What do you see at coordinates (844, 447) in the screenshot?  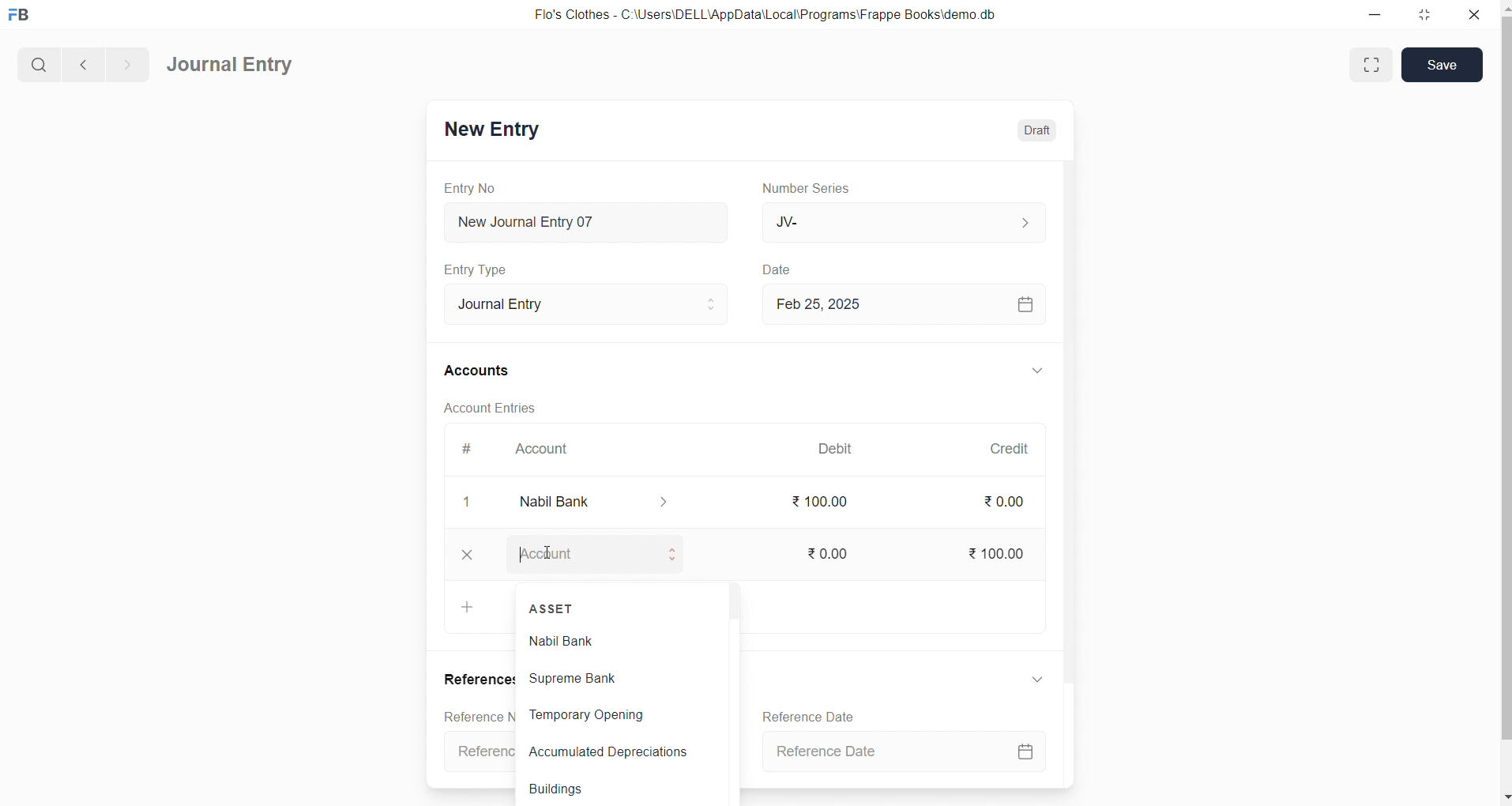 I see `Debit` at bounding box center [844, 447].